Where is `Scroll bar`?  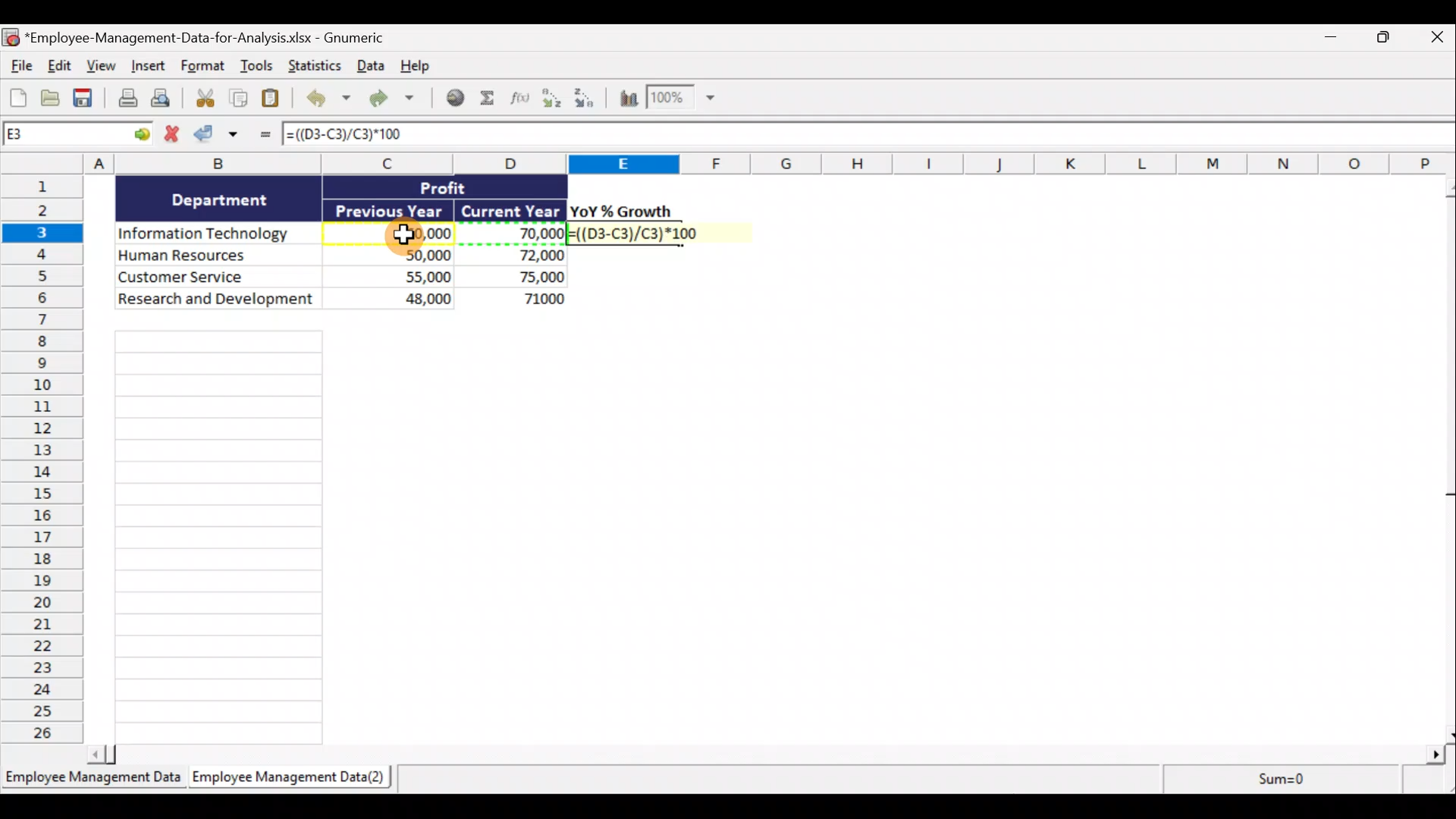 Scroll bar is located at coordinates (766, 757).